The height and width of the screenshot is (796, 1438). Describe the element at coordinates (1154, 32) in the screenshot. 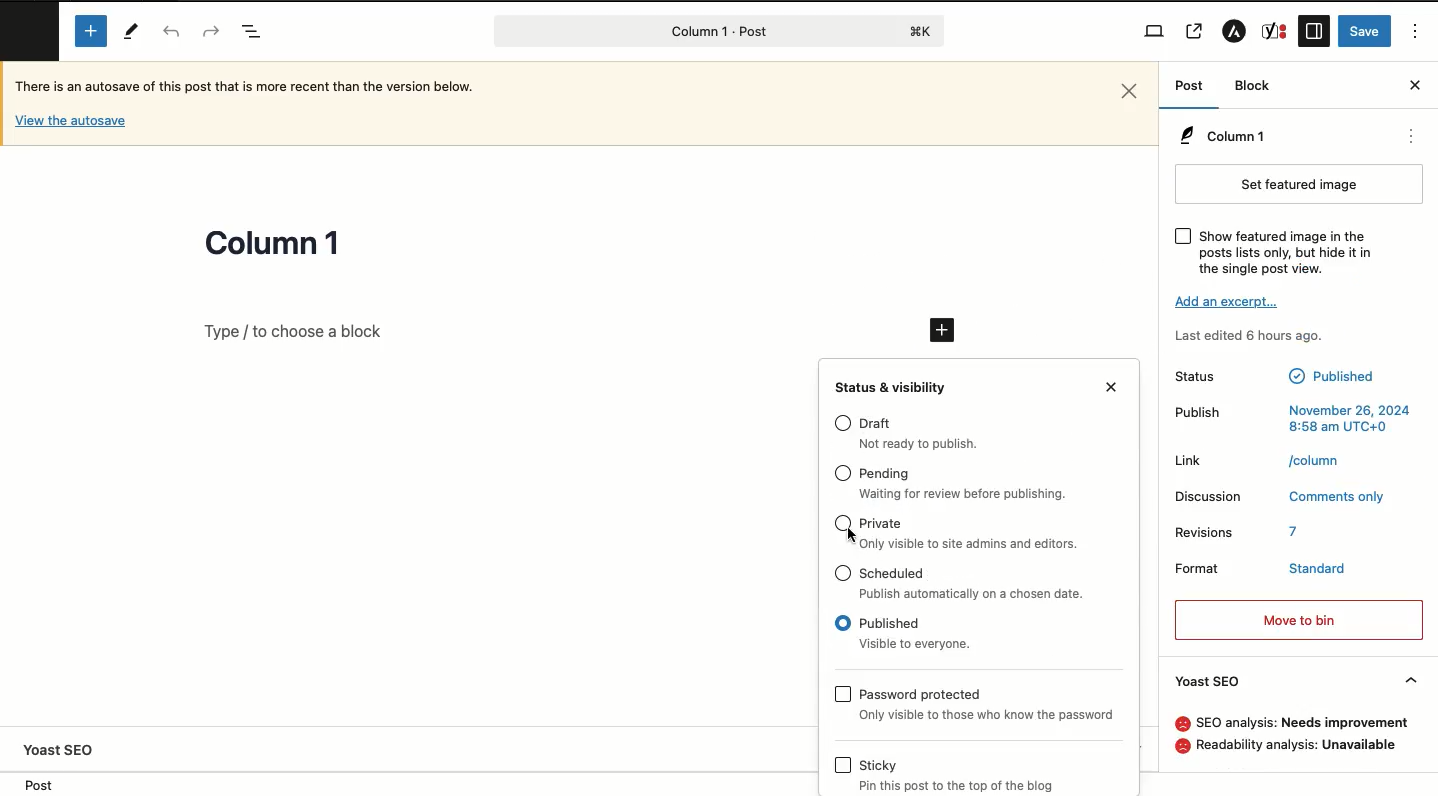

I see `View` at that location.